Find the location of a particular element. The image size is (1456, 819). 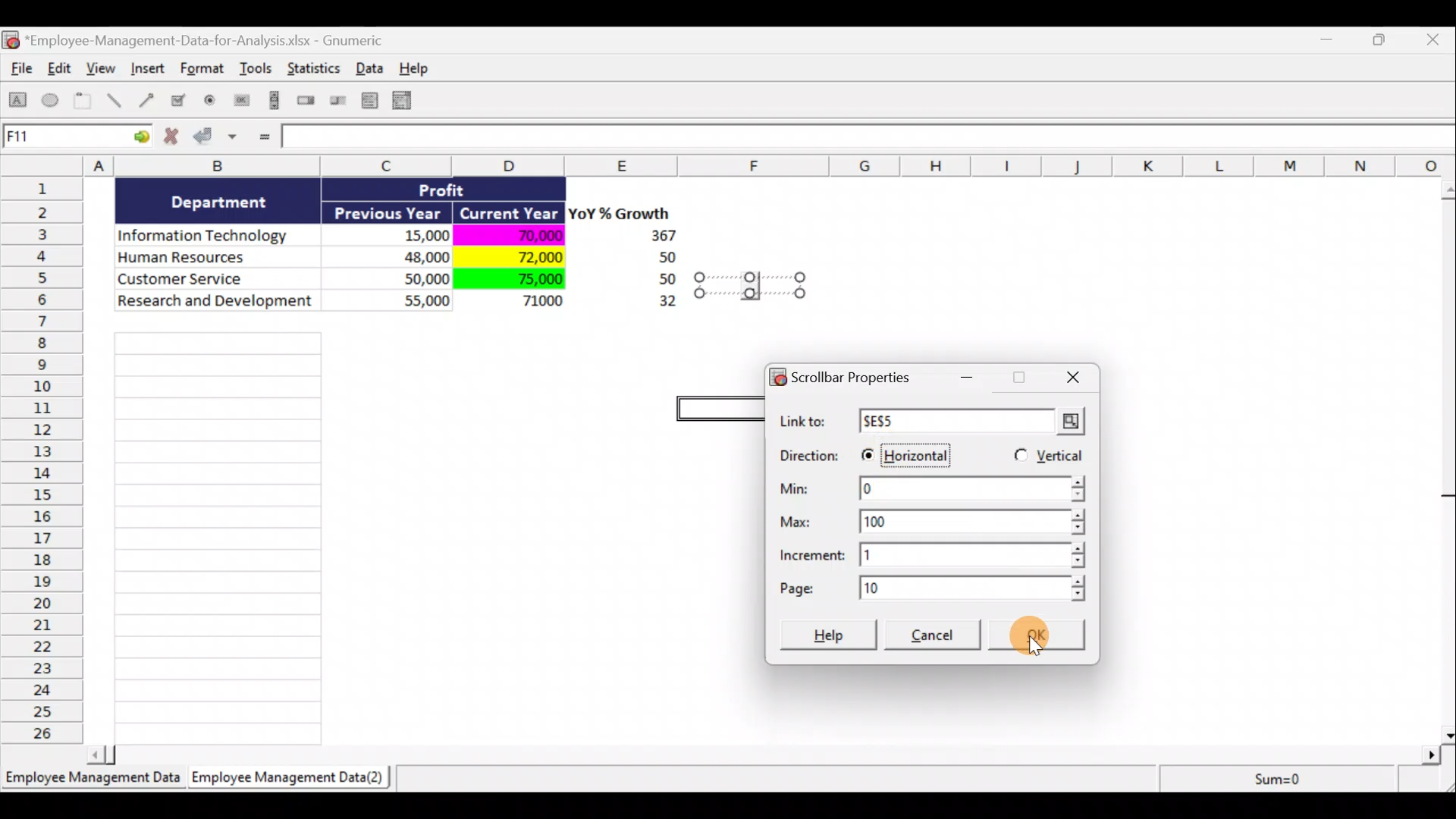

Page is located at coordinates (930, 588).